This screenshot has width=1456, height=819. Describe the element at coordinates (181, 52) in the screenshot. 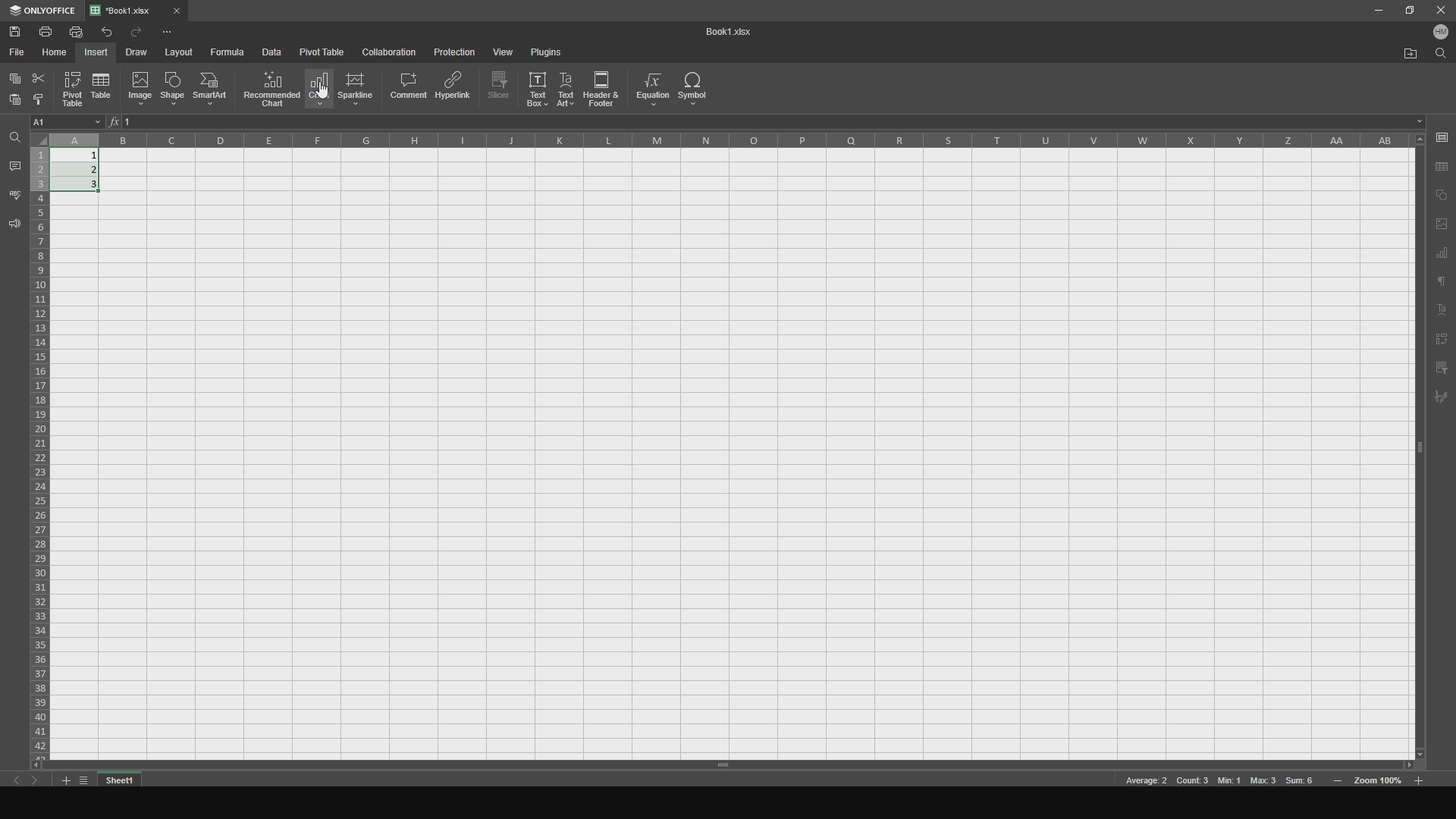

I see `layout` at that location.